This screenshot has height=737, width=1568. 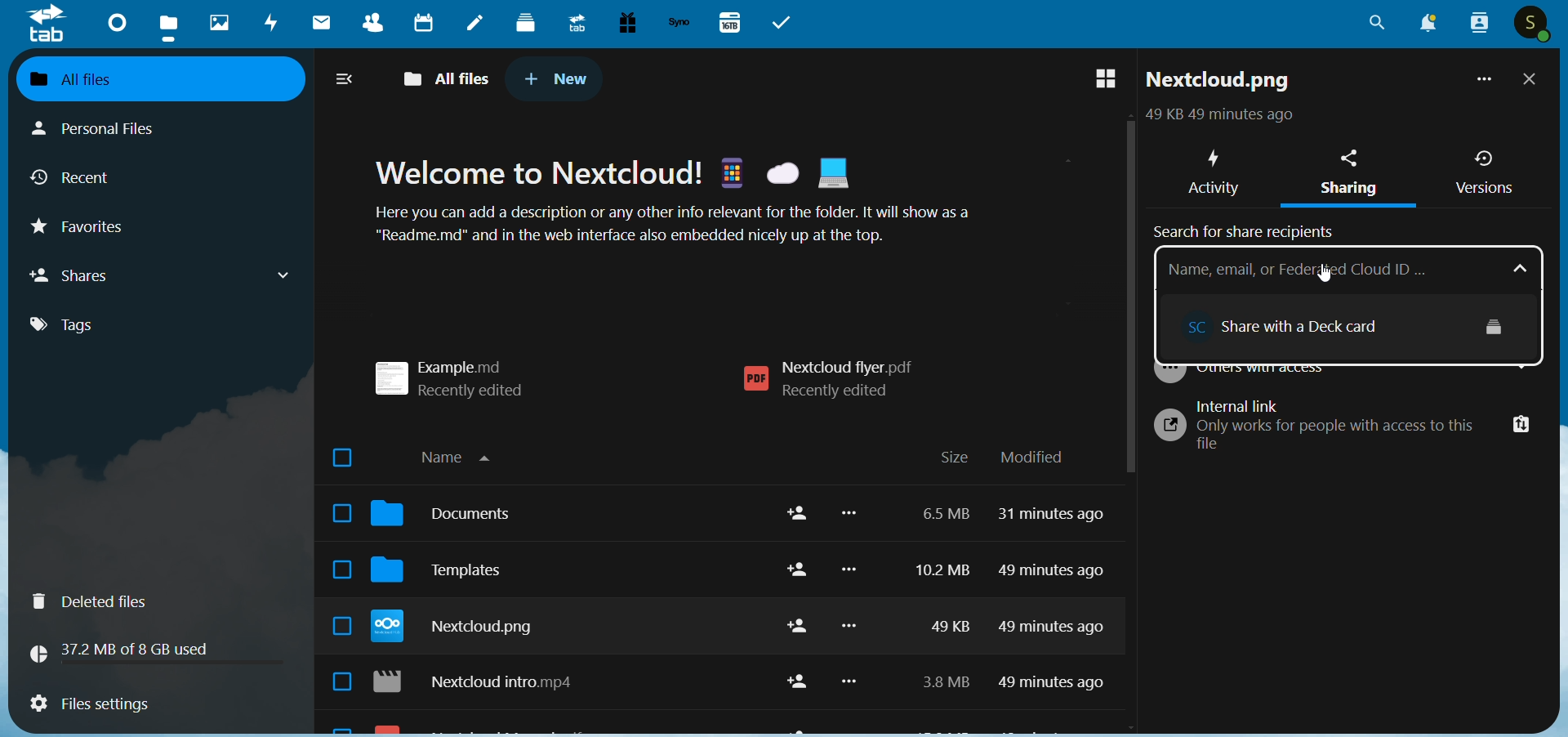 What do you see at coordinates (346, 81) in the screenshot?
I see `collapse/expand` at bounding box center [346, 81].